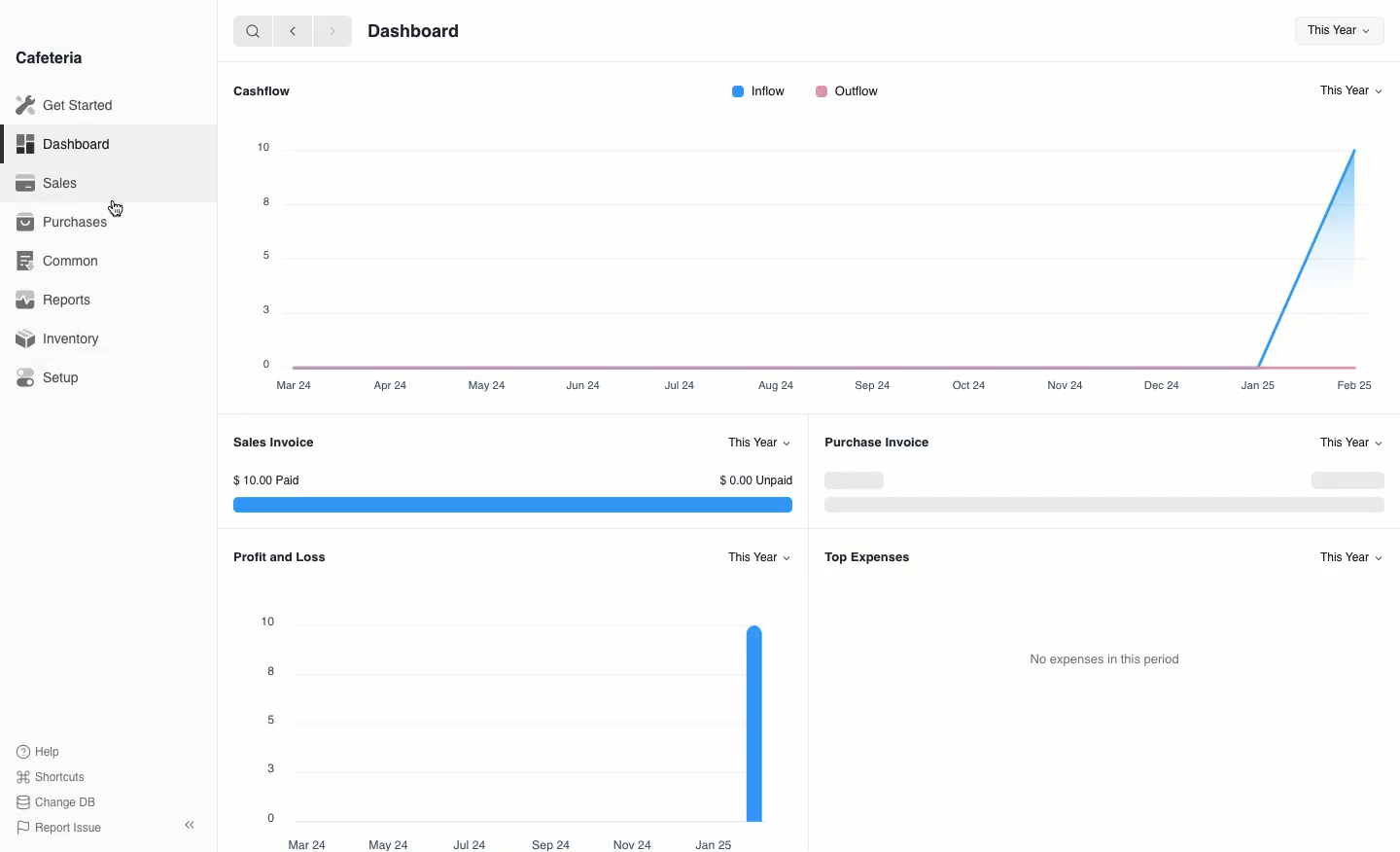 Image resolution: width=1400 pixels, height=852 pixels. Describe the element at coordinates (40, 749) in the screenshot. I see `Help` at that location.